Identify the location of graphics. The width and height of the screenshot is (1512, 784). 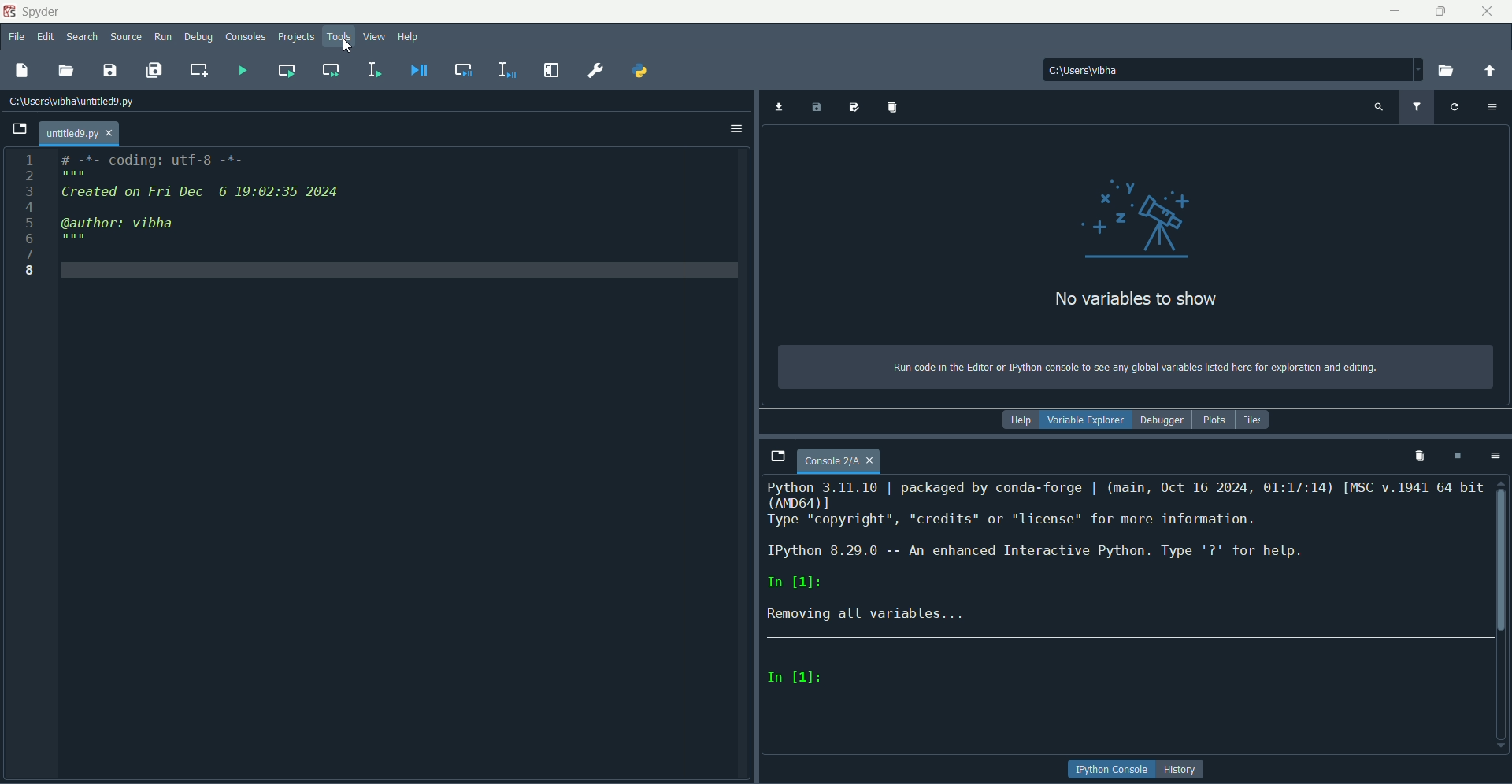
(1142, 216).